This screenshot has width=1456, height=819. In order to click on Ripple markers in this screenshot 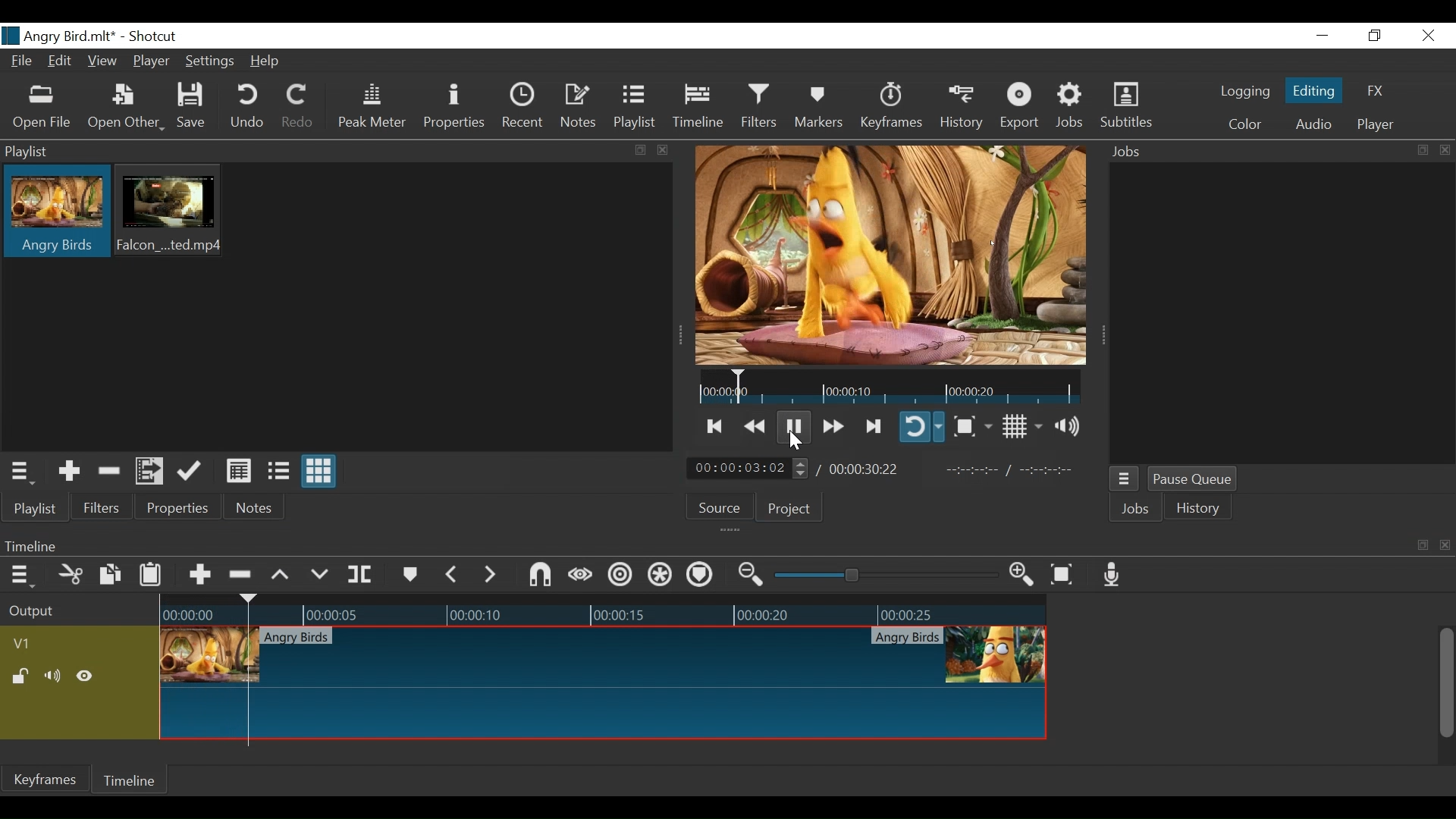, I will do `click(699, 576)`.